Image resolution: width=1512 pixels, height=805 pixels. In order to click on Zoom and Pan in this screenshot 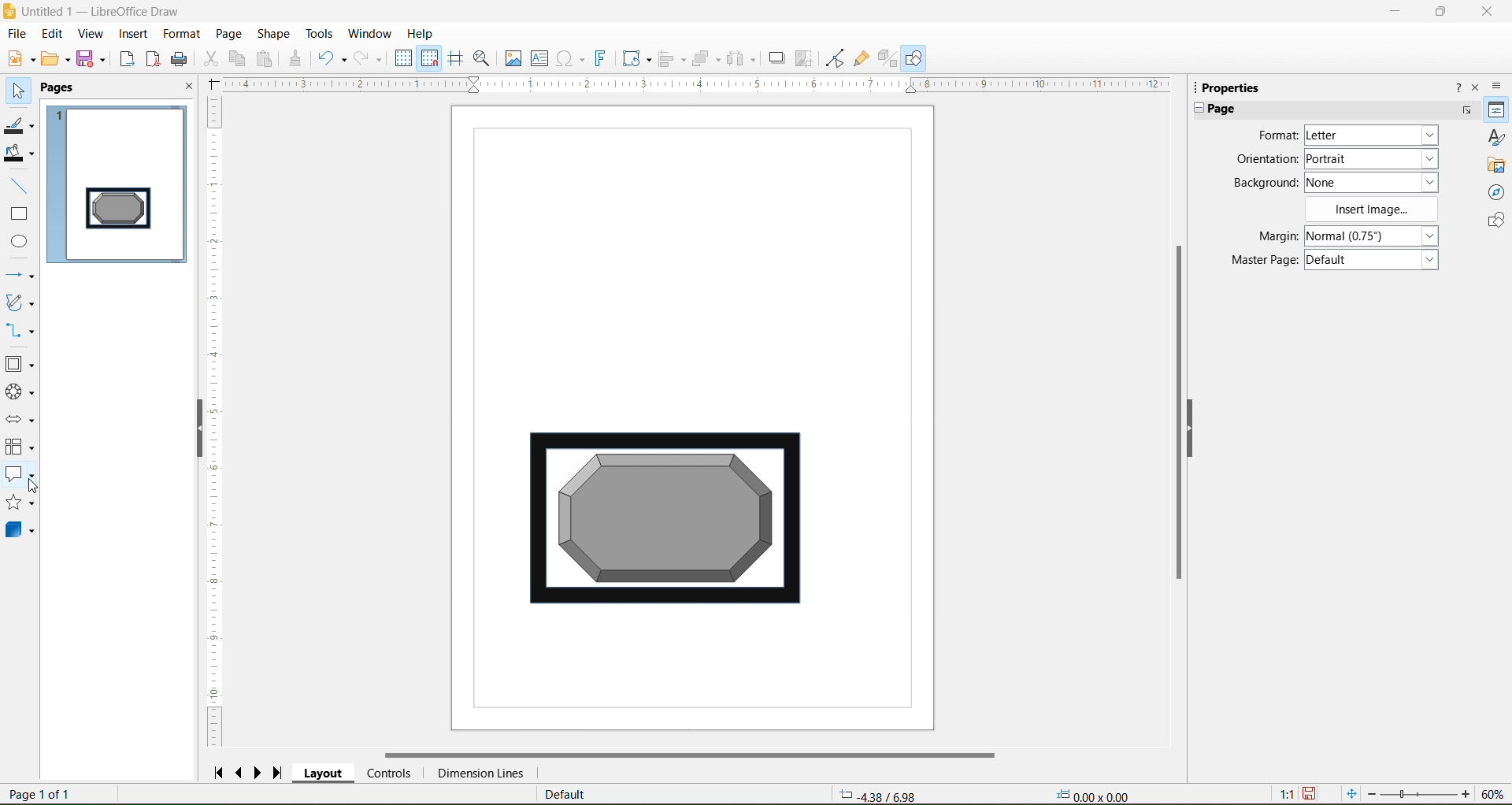, I will do `click(482, 59)`.